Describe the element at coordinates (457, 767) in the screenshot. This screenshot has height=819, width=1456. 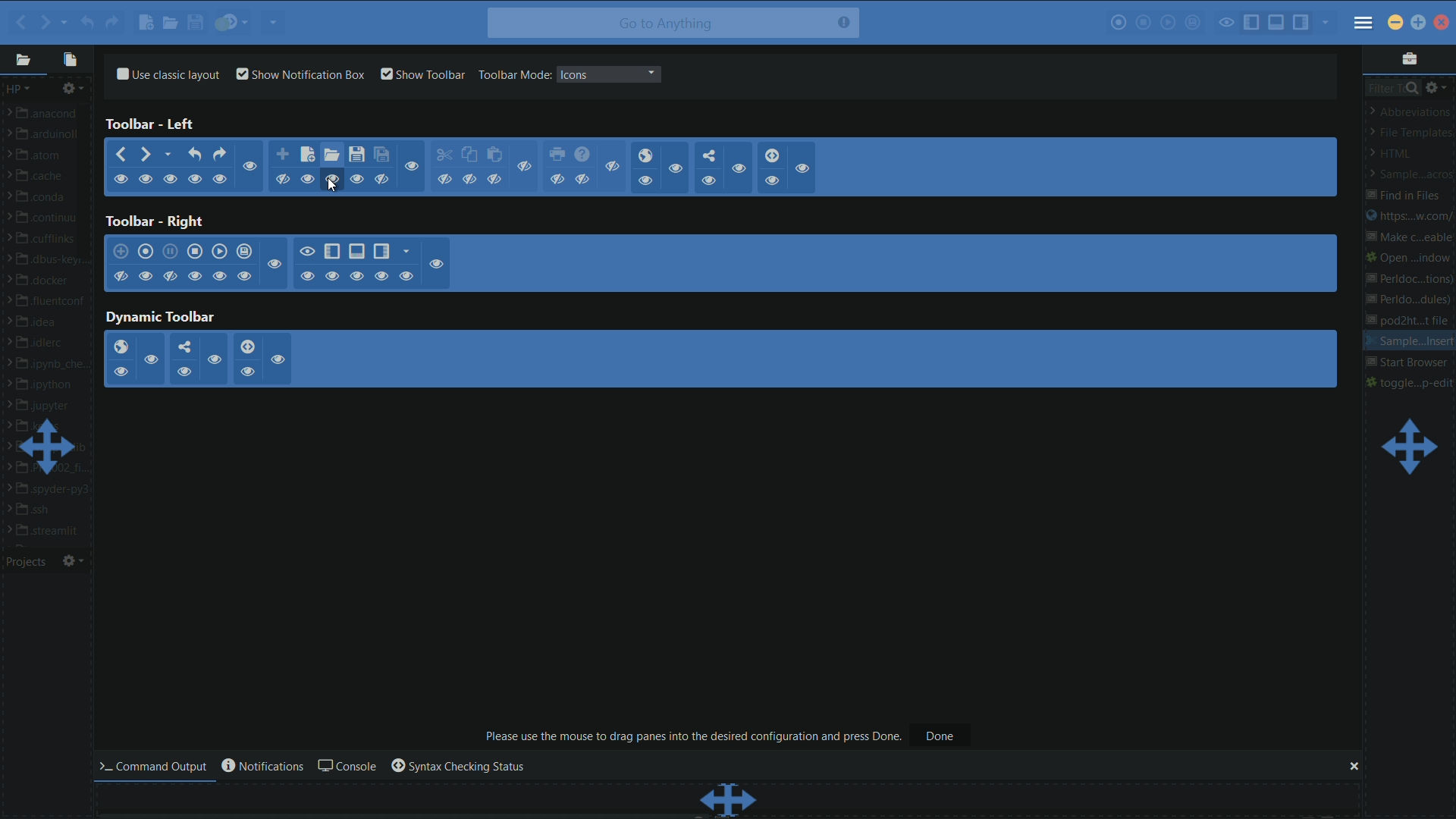
I see `syntax checking status` at that location.